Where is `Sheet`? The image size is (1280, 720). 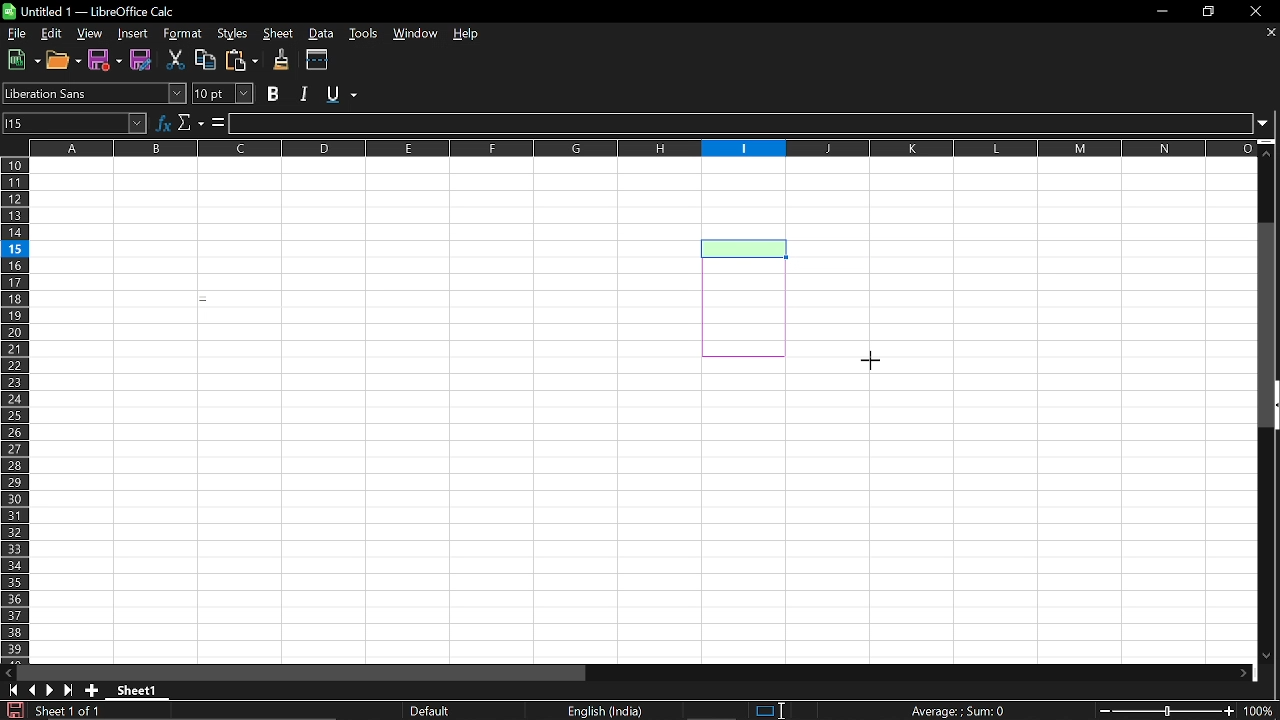 Sheet is located at coordinates (277, 34).